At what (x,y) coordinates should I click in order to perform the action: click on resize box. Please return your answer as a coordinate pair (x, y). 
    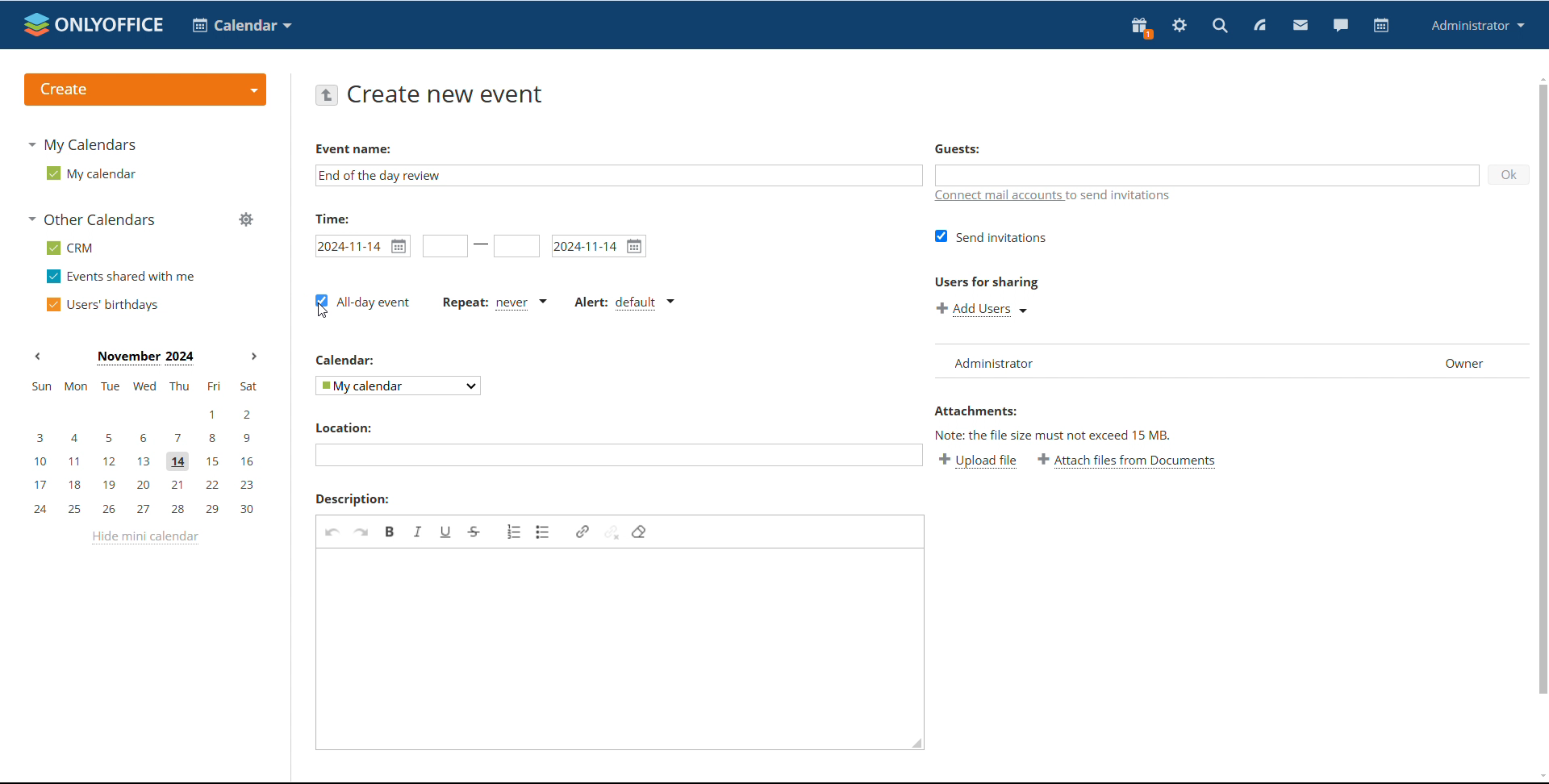
    Looking at the image, I should click on (913, 746).